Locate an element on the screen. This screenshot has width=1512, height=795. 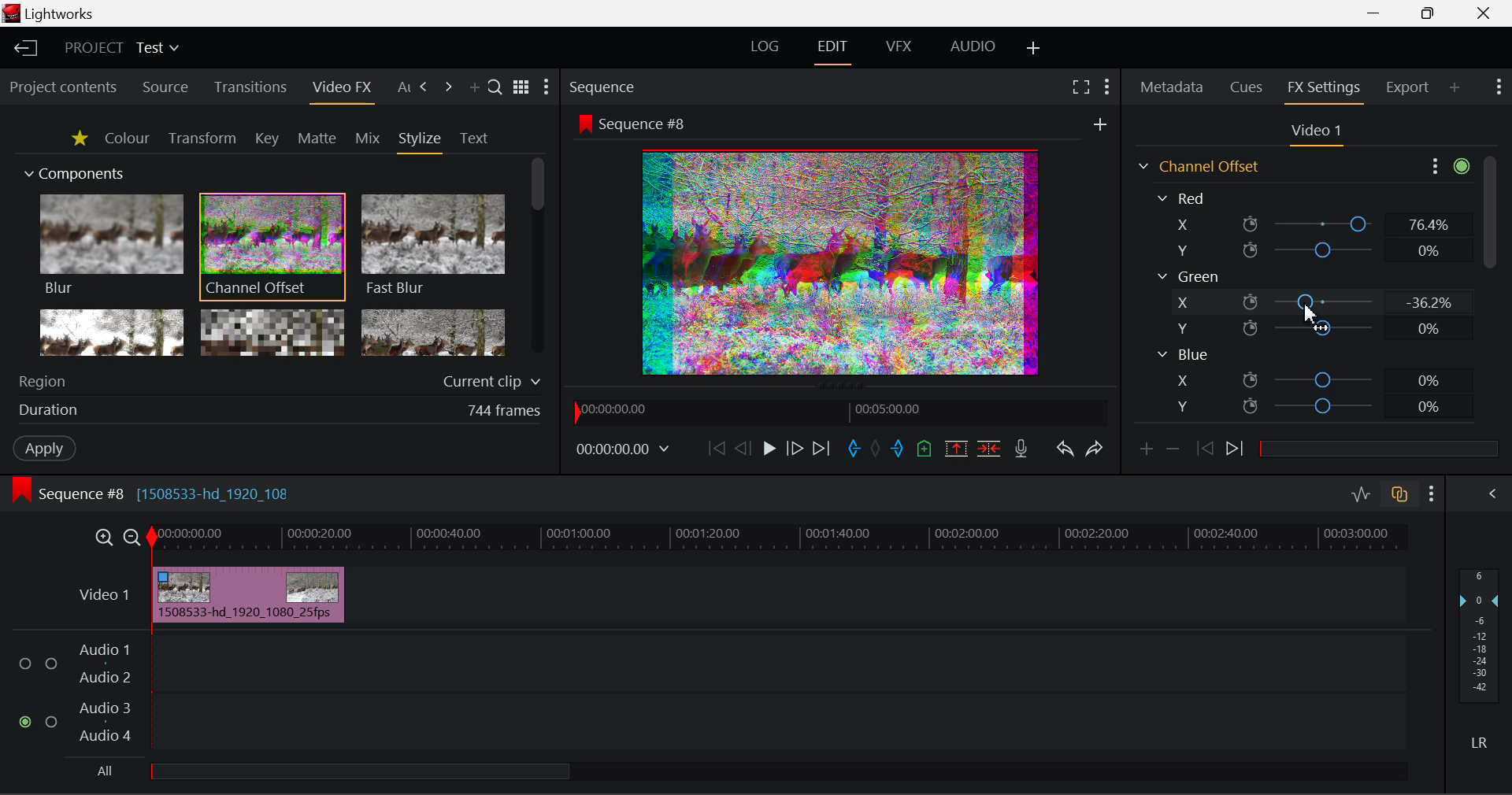
Mosaic is located at coordinates (272, 331).